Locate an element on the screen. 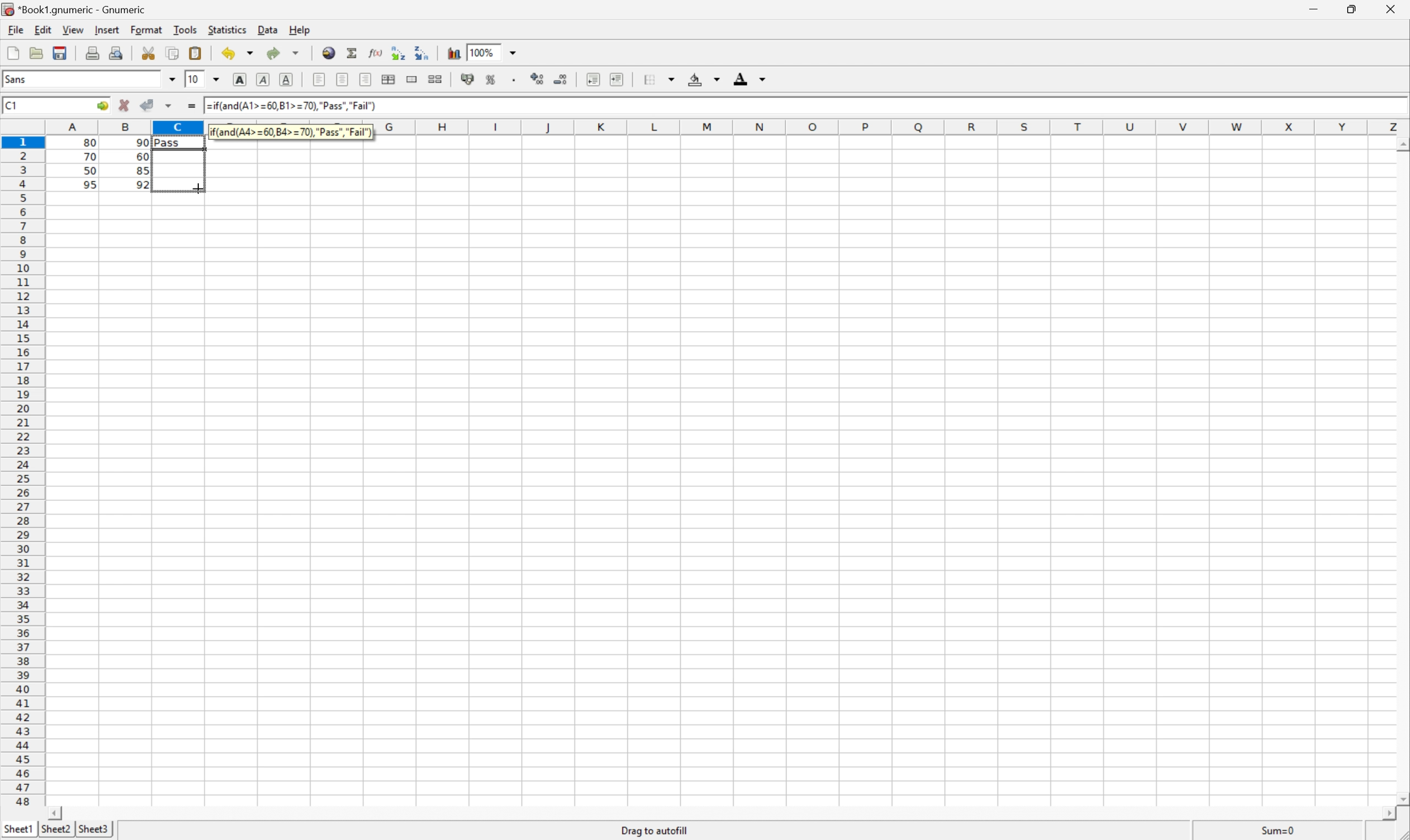 The image size is (1410, 840). 95 is located at coordinates (89, 185).